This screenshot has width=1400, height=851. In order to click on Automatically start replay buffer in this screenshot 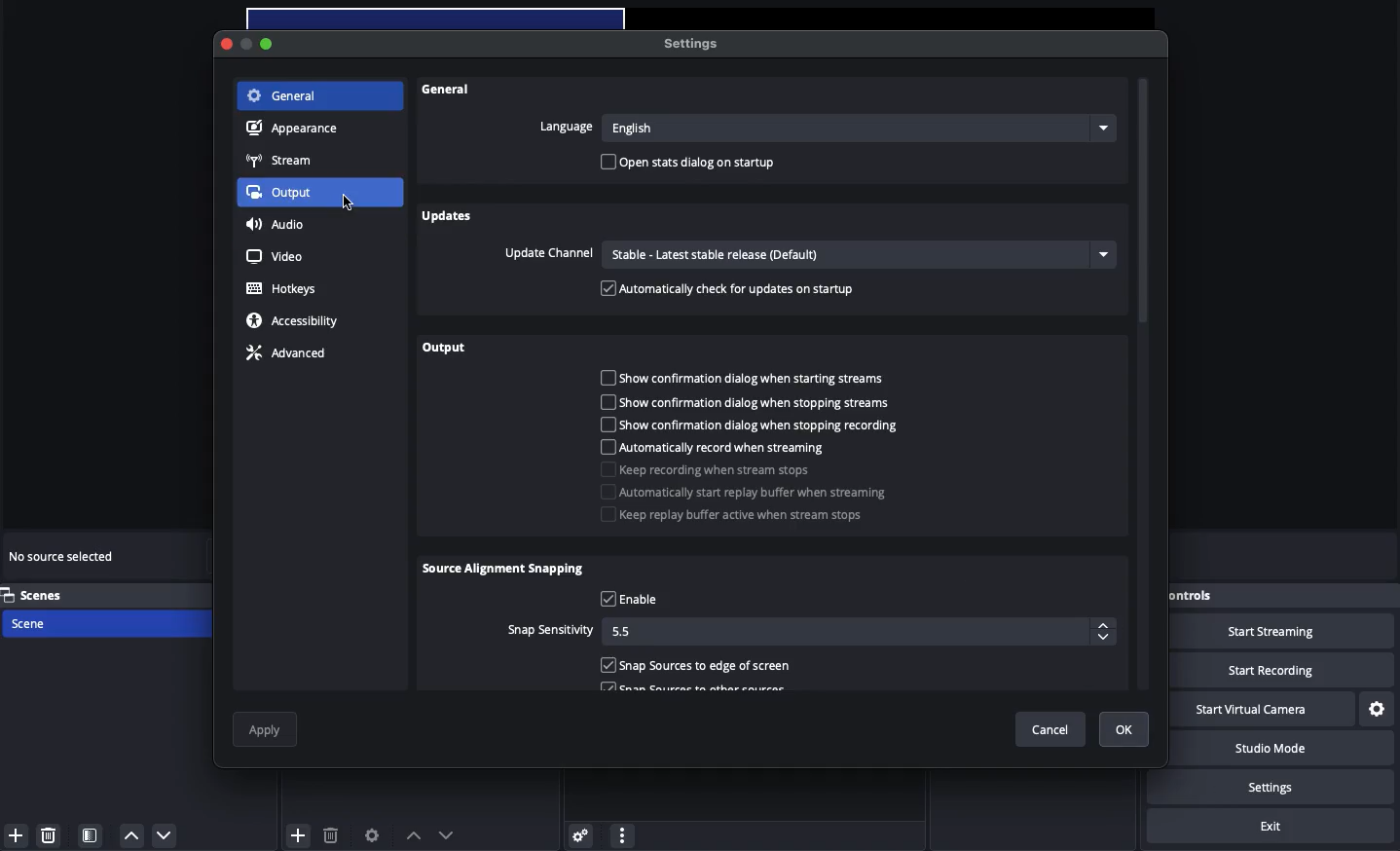, I will do `click(746, 495)`.